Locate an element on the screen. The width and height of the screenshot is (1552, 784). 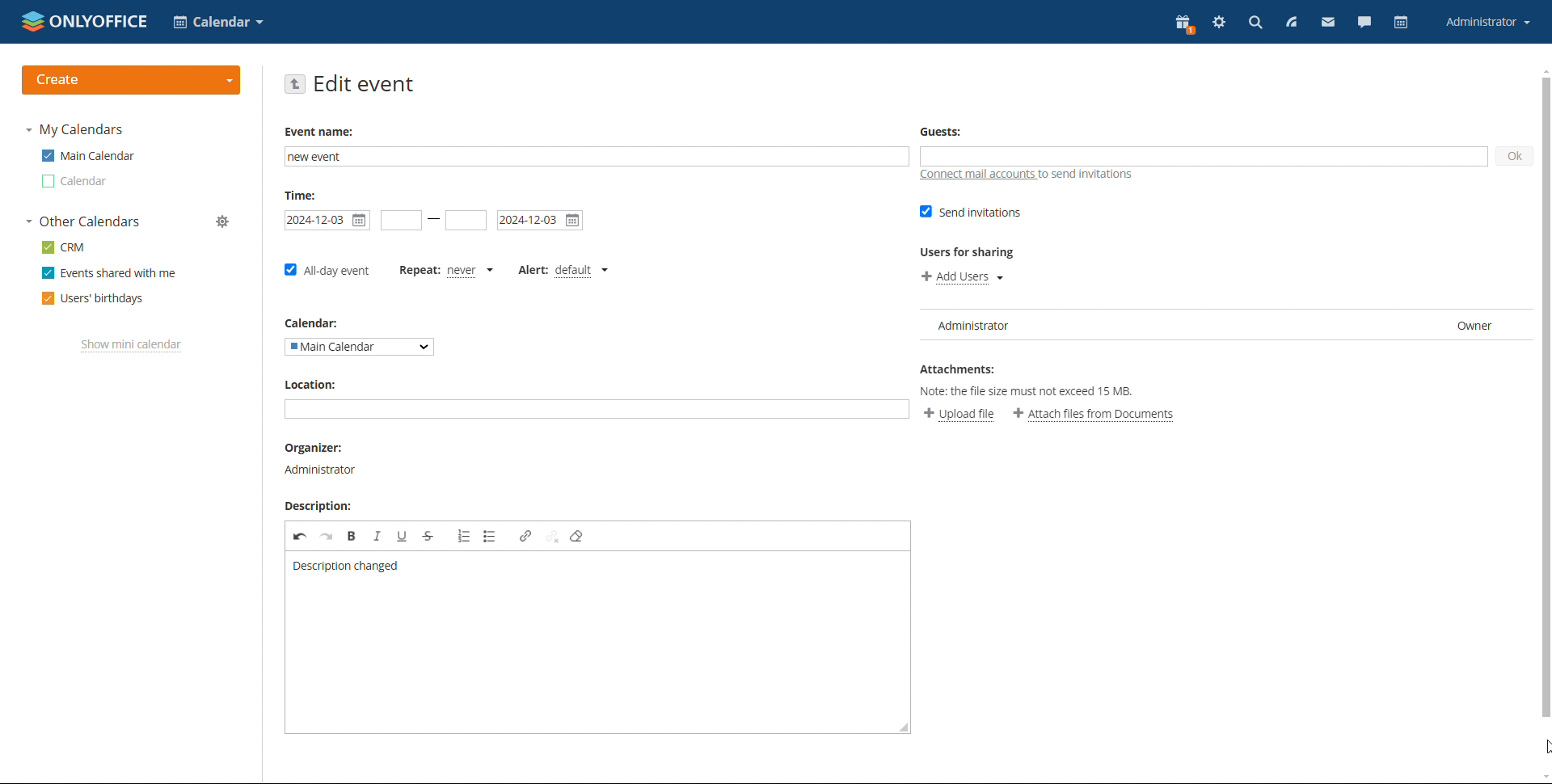
Organizer: is located at coordinates (315, 449).